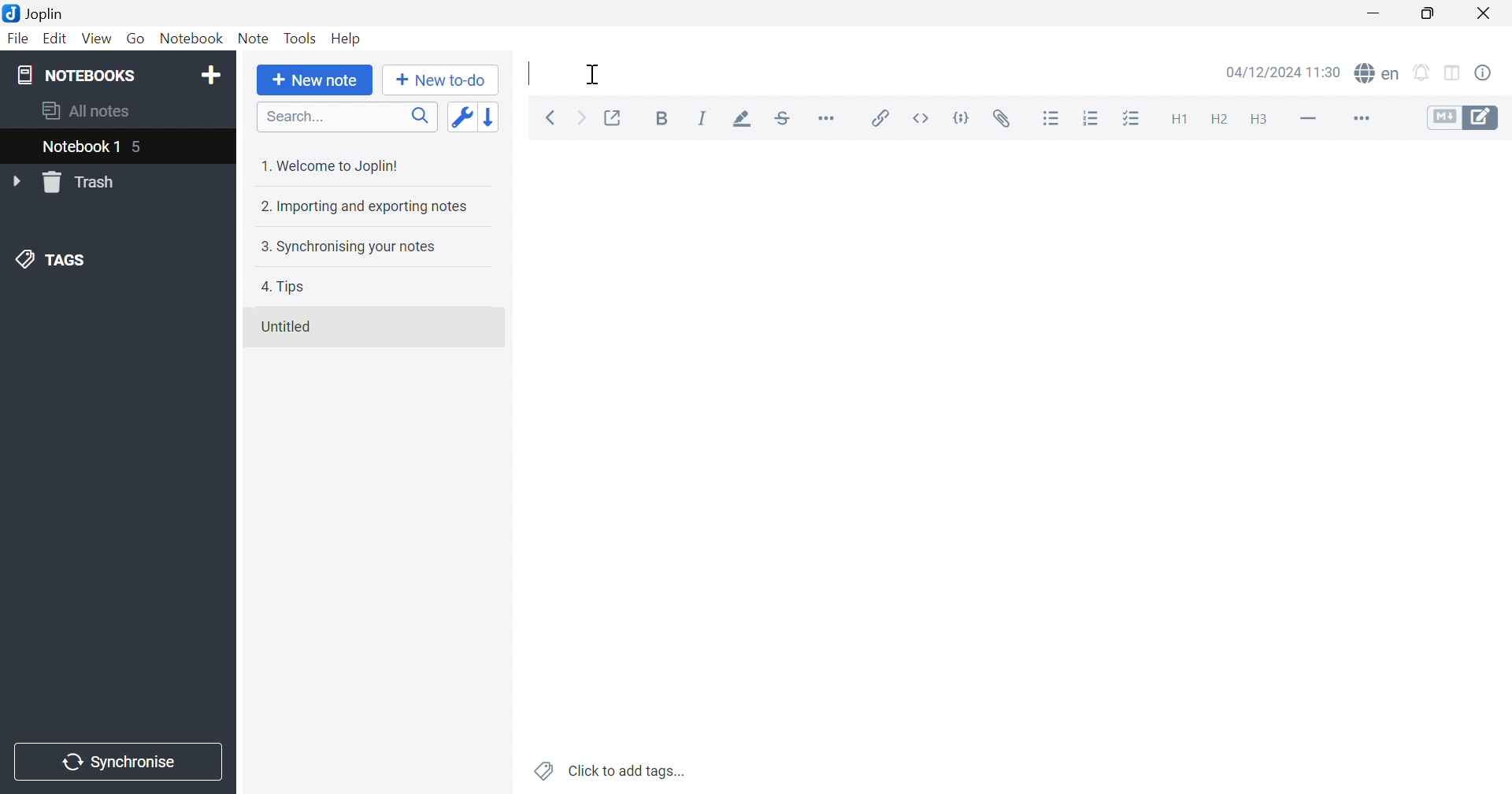  I want to click on 3. Synchronising your notes, so click(347, 245).